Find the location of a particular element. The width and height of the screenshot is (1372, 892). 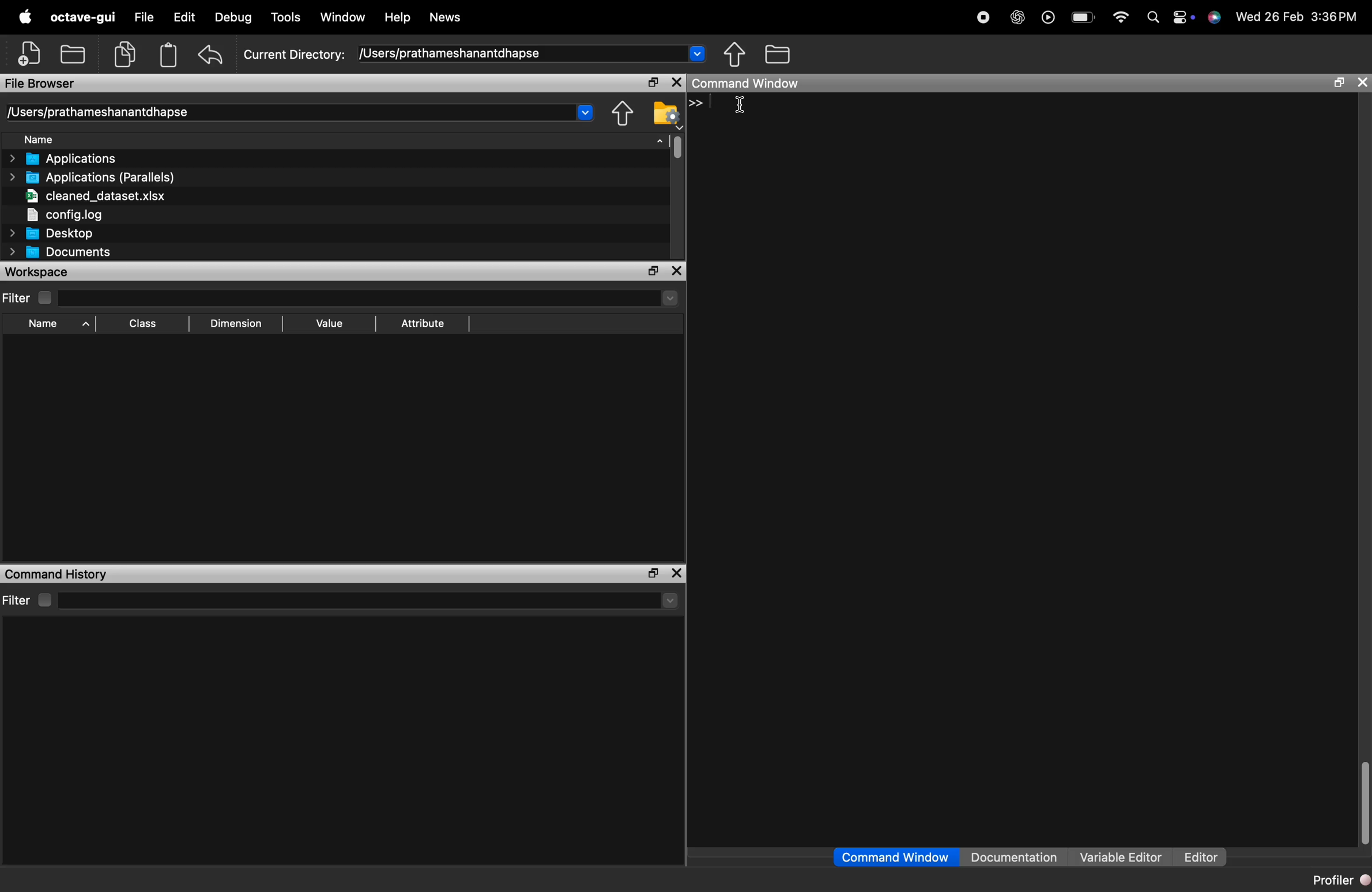

News is located at coordinates (444, 17).